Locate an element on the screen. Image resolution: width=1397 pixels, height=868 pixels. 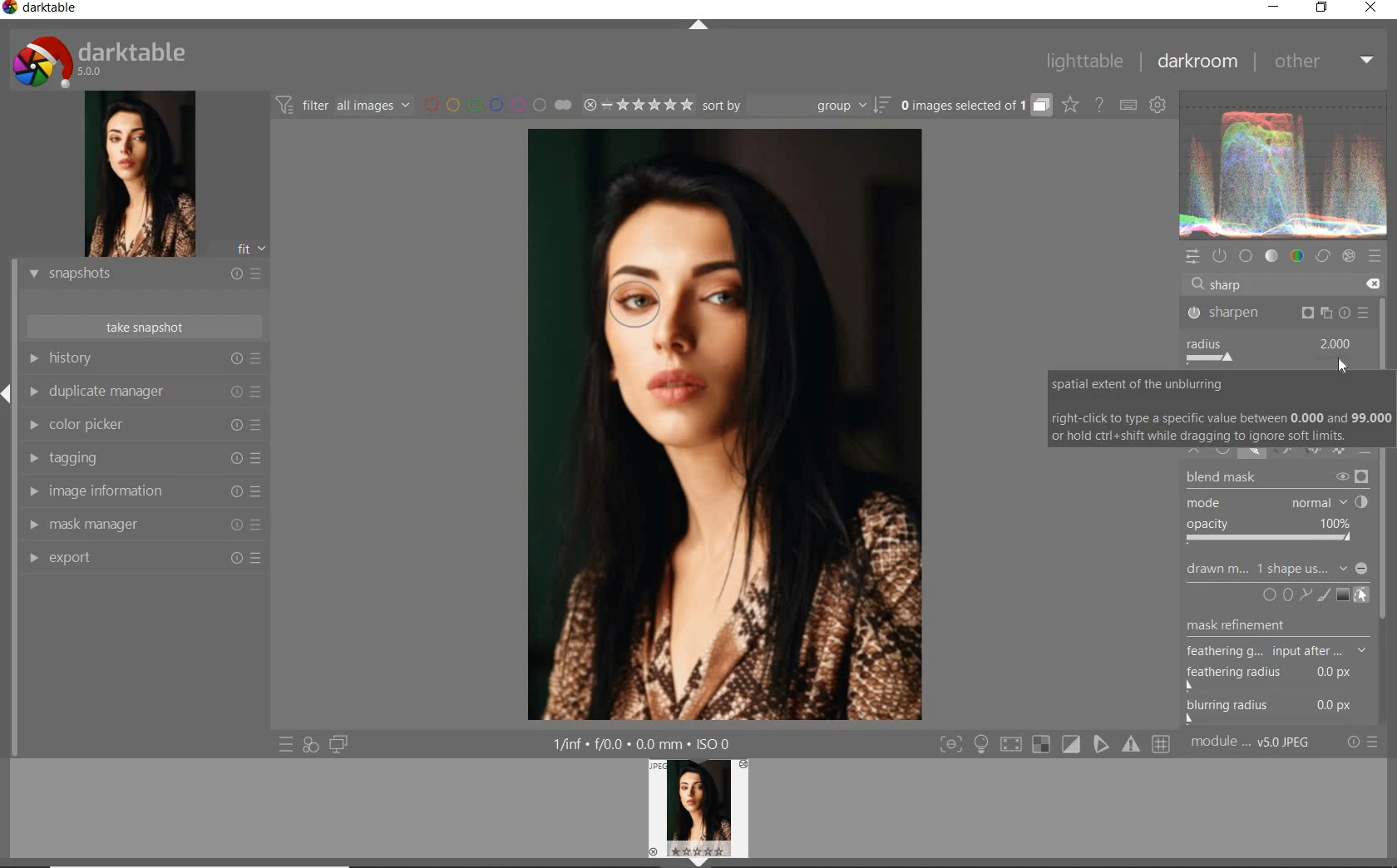
lighttable is located at coordinates (1084, 62).